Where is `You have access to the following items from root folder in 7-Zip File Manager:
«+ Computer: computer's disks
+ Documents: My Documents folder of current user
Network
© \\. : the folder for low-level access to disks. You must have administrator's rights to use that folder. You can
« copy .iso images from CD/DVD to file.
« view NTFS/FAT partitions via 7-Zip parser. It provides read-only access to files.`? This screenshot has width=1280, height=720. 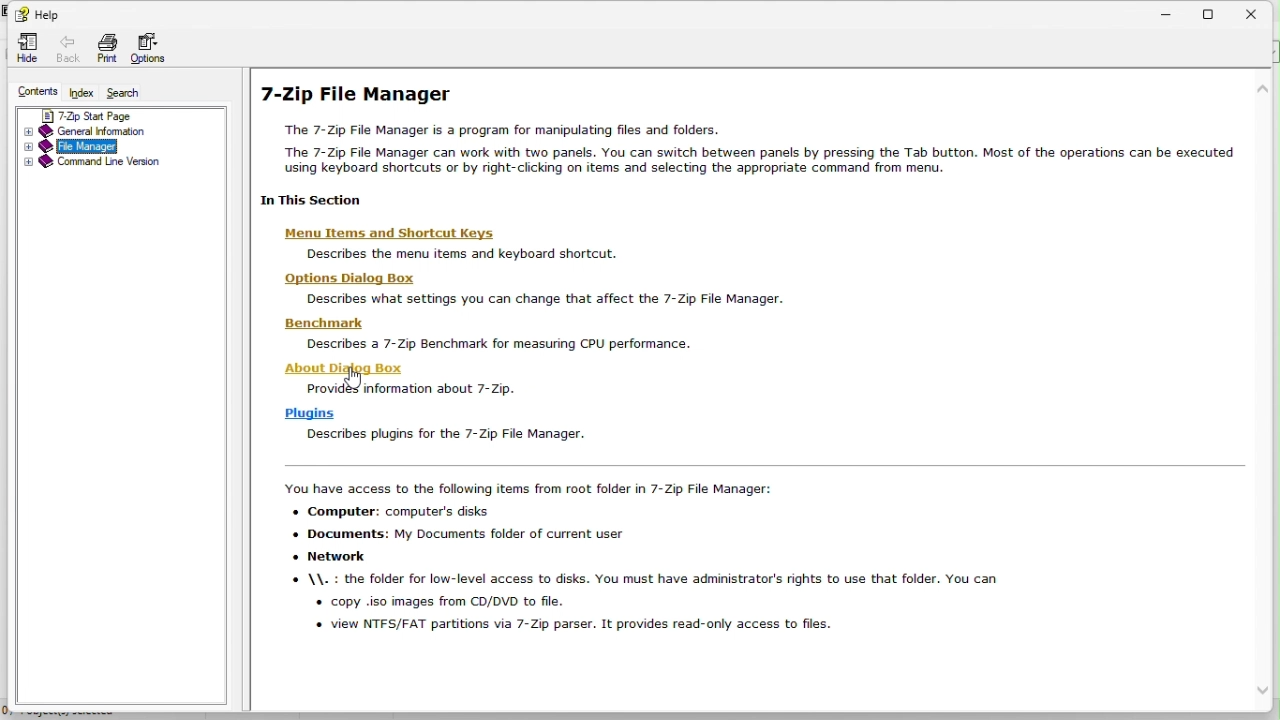
You have access to the following items from root folder in 7-Zip File Manager:
«+ Computer: computer's disks
+ Documents: My Documents folder of current user
Network
© \\. : the folder for low-level access to disks. You must have administrator's rights to use that folder. You can
« copy .iso images from CD/DVD to file.
« view NTFS/FAT partitions via 7-Zip parser. It provides read-only access to files. is located at coordinates (699, 562).